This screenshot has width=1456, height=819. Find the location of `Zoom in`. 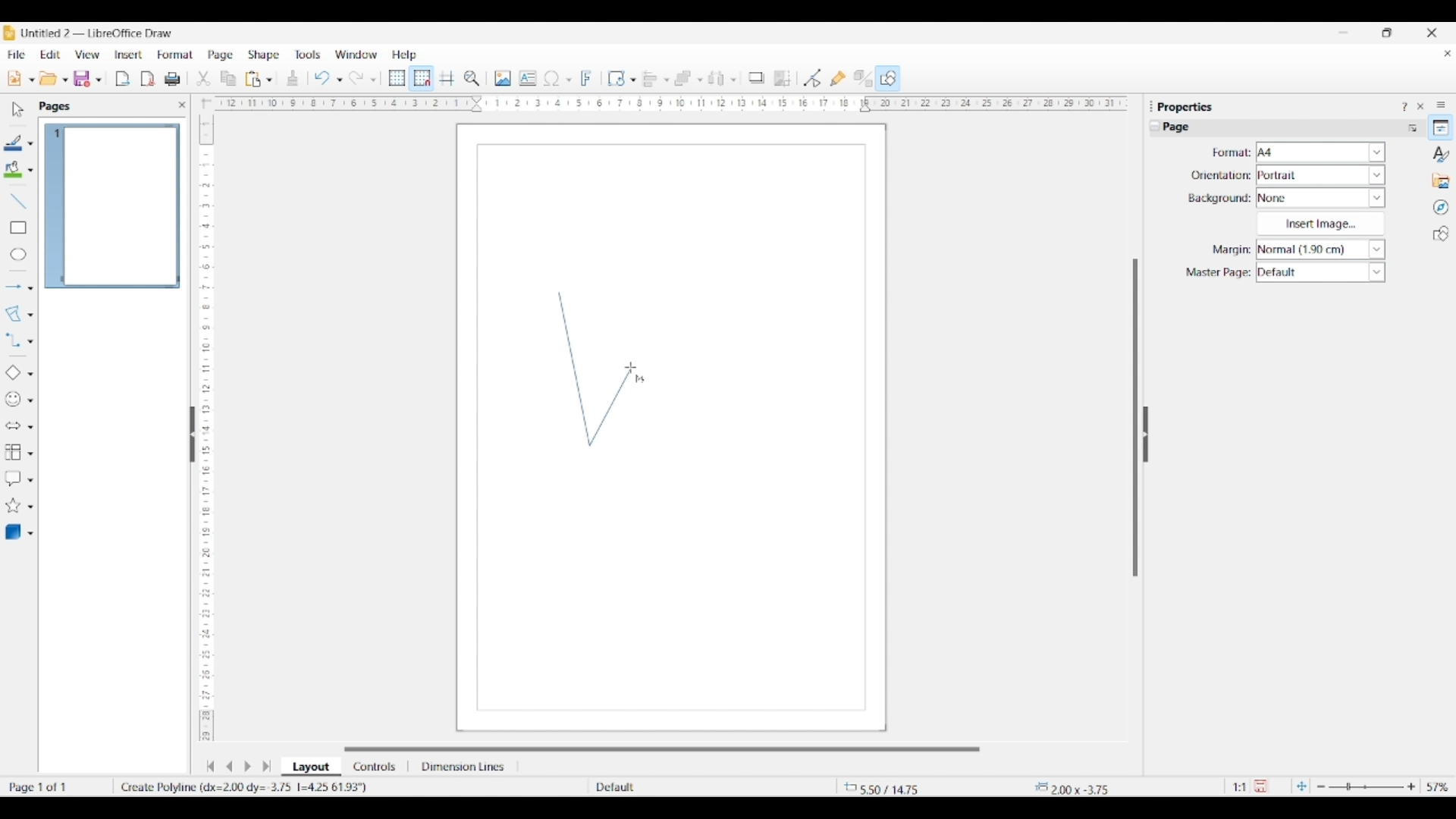

Zoom in is located at coordinates (1411, 786).